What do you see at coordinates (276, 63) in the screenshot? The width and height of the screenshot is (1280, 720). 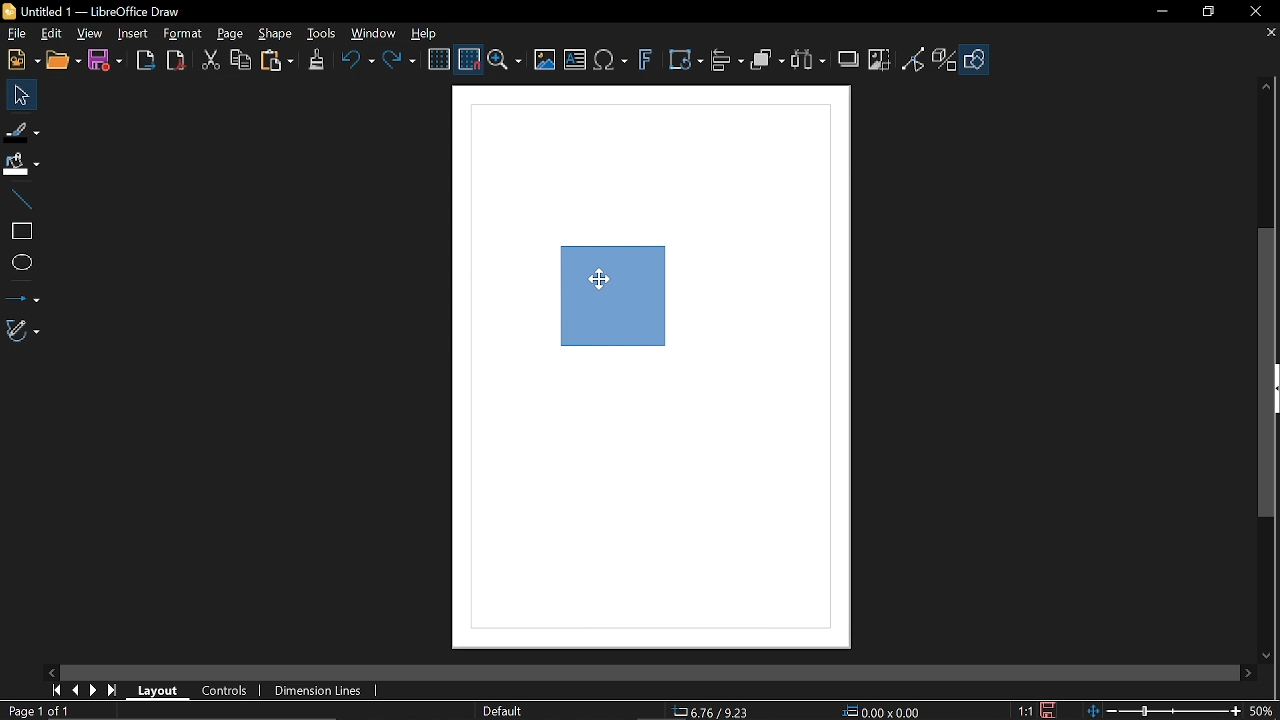 I see `Paste` at bounding box center [276, 63].